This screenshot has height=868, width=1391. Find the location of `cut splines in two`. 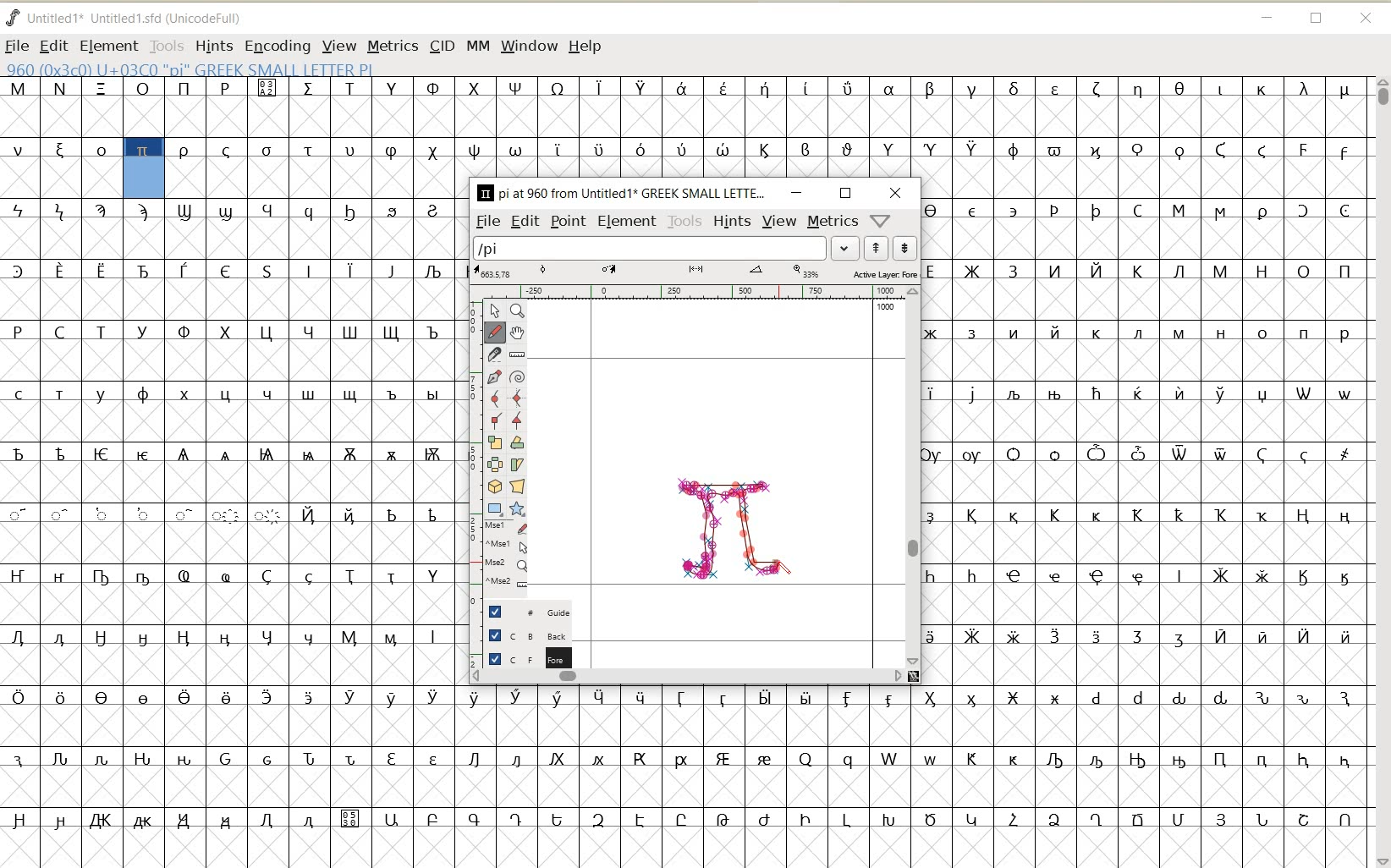

cut splines in two is located at coordinates (492, 354).